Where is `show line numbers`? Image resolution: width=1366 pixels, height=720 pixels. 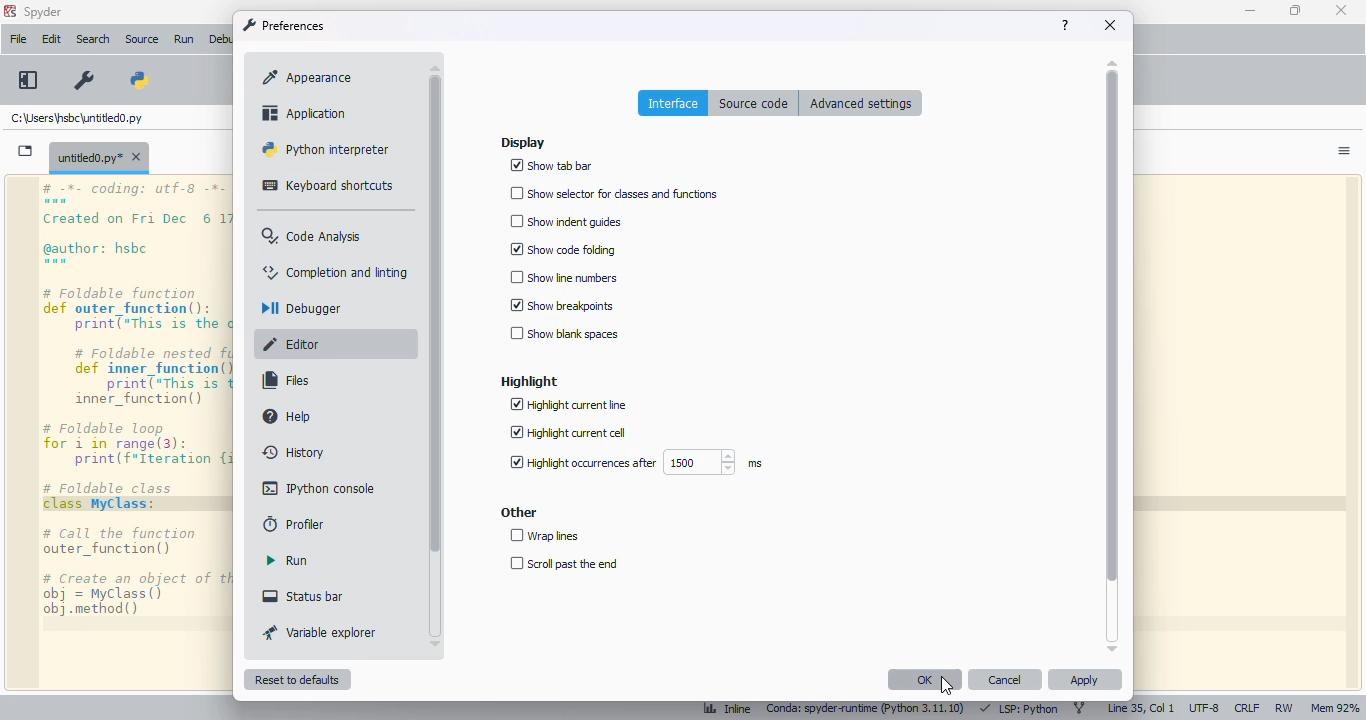 show line numbers is located at coordinates (563, 278).